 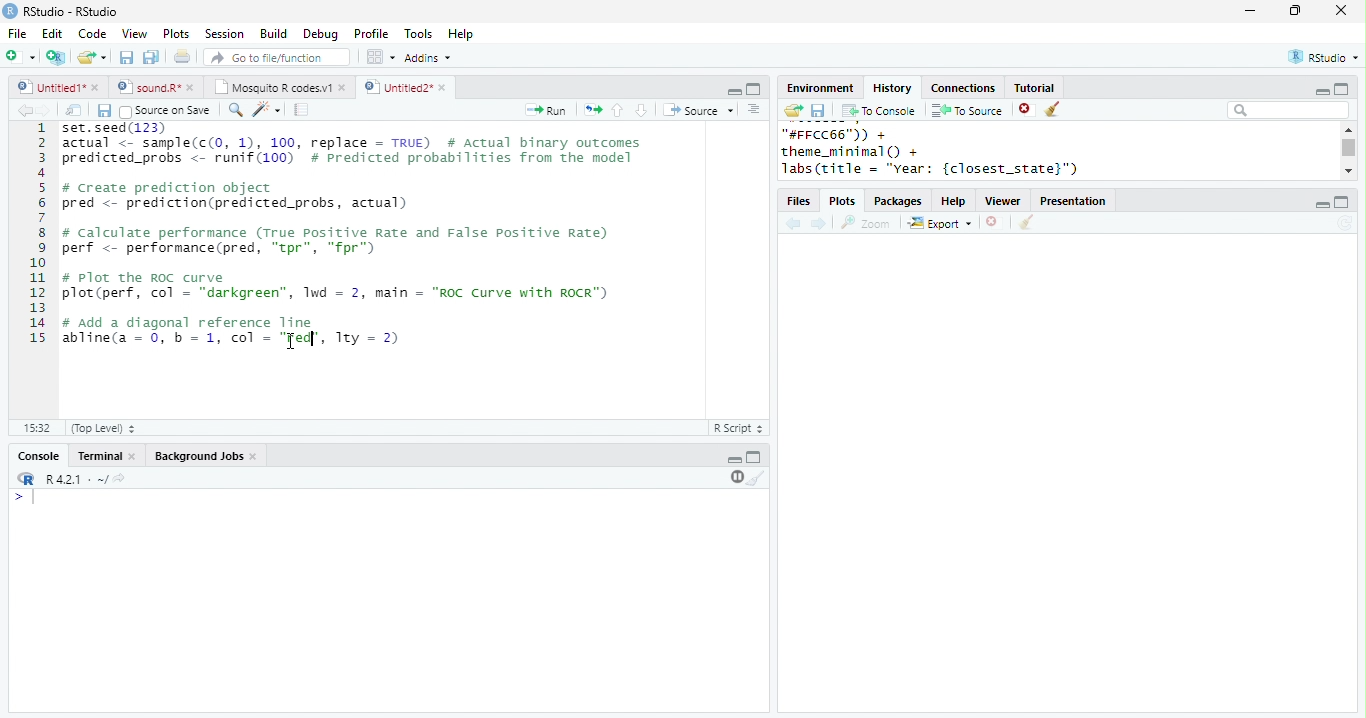 What do you see at coordinates (1347, 129) in the screenshot?
I see `scroll up` at bounding box center [1347, 129].